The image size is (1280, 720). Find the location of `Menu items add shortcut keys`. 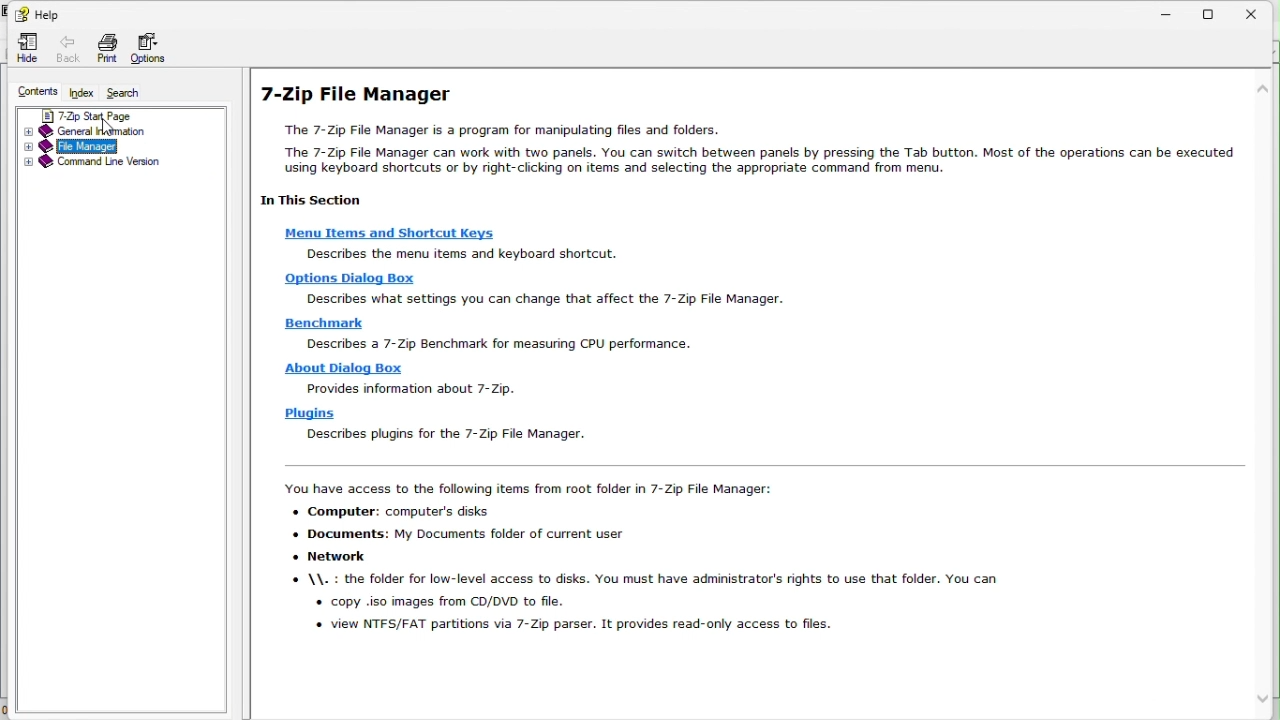

Menu items add shortcut keys is located at coordinates (395, 233).